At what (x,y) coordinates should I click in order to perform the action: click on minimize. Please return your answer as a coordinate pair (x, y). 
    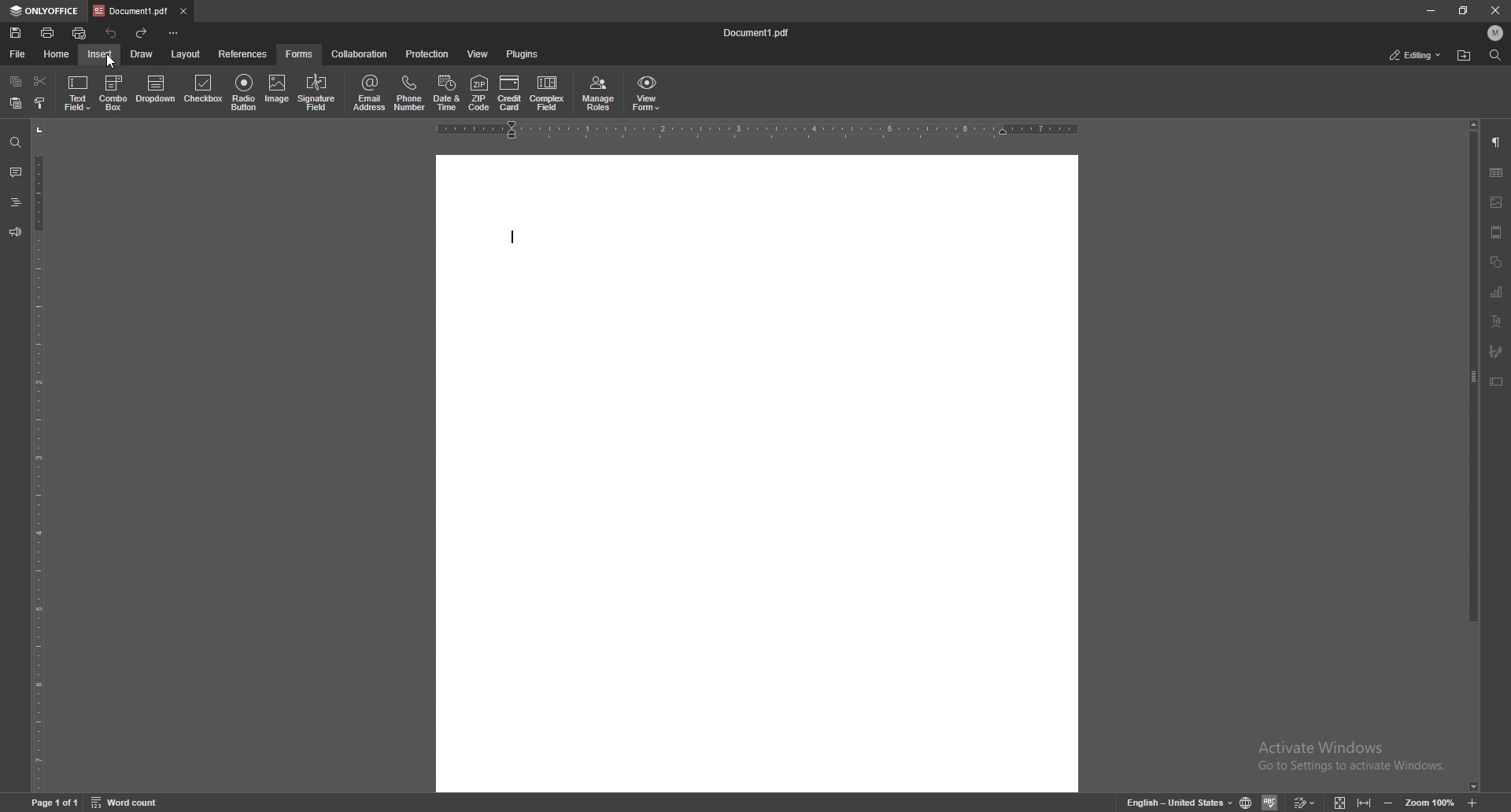
    Looking at the image, I should click on (1431, 9).